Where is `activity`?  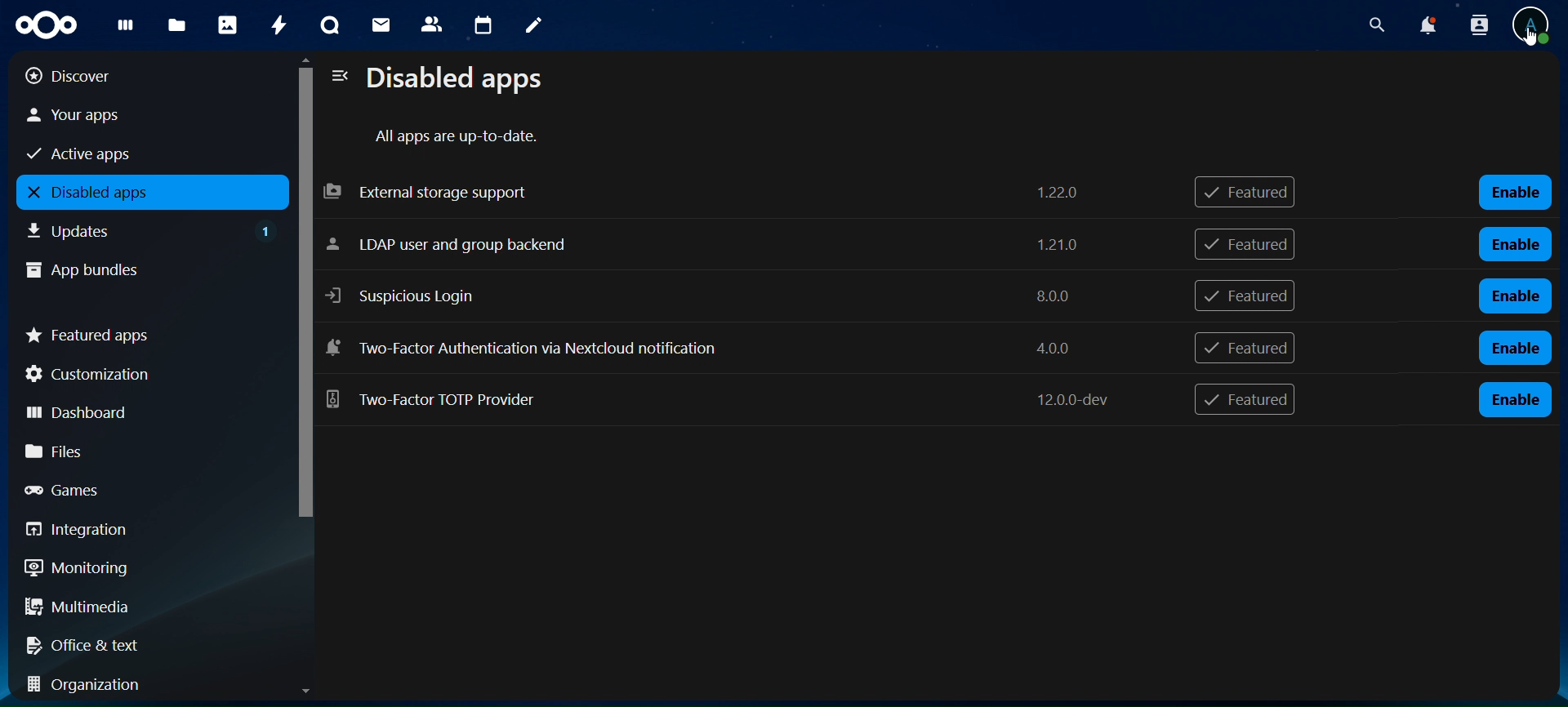
activity is located at coordinates (278, 24).